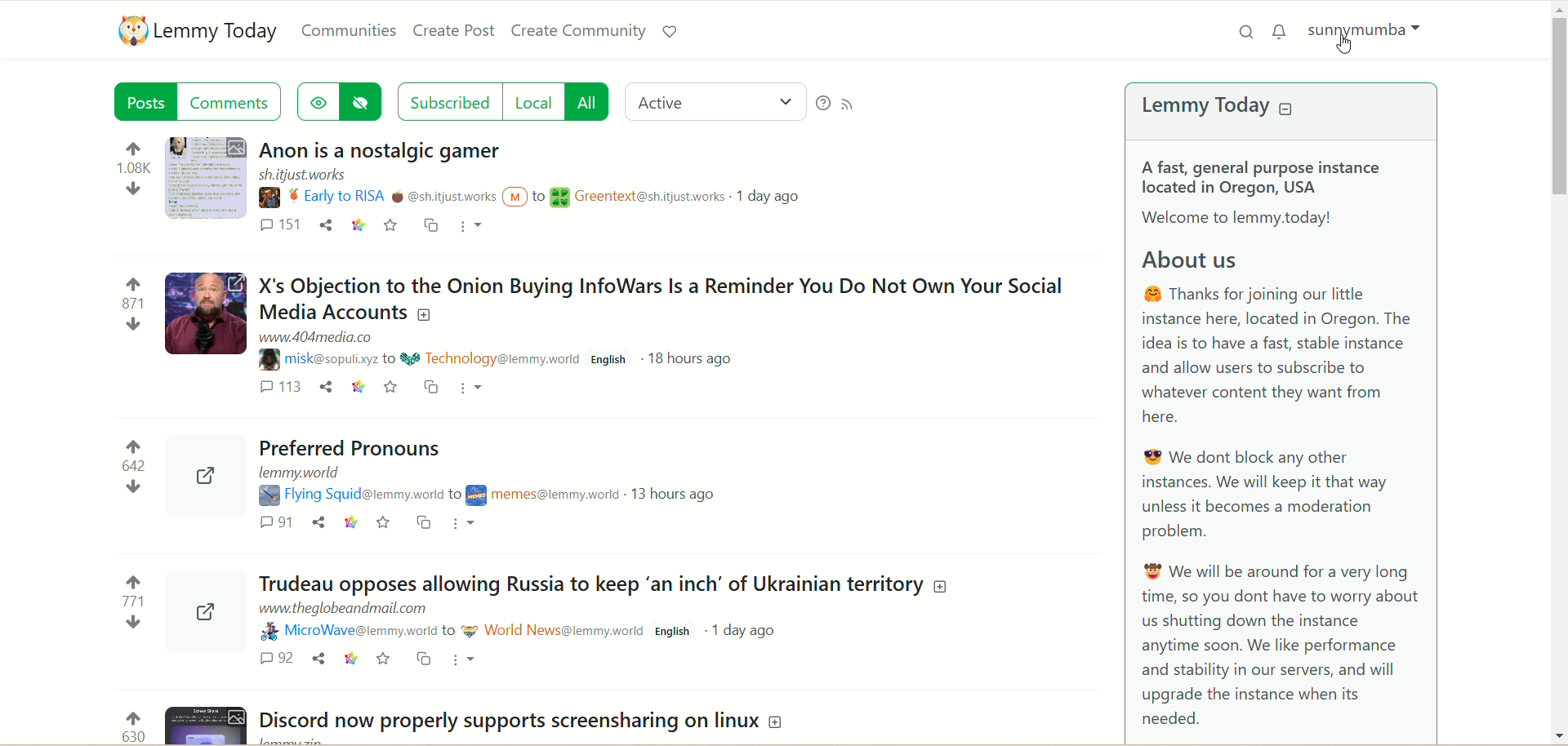 This screenshot has height=746, width=1568. Describe the element at coordinates (296, 473) in the screenshot. I see `URL` at that location.